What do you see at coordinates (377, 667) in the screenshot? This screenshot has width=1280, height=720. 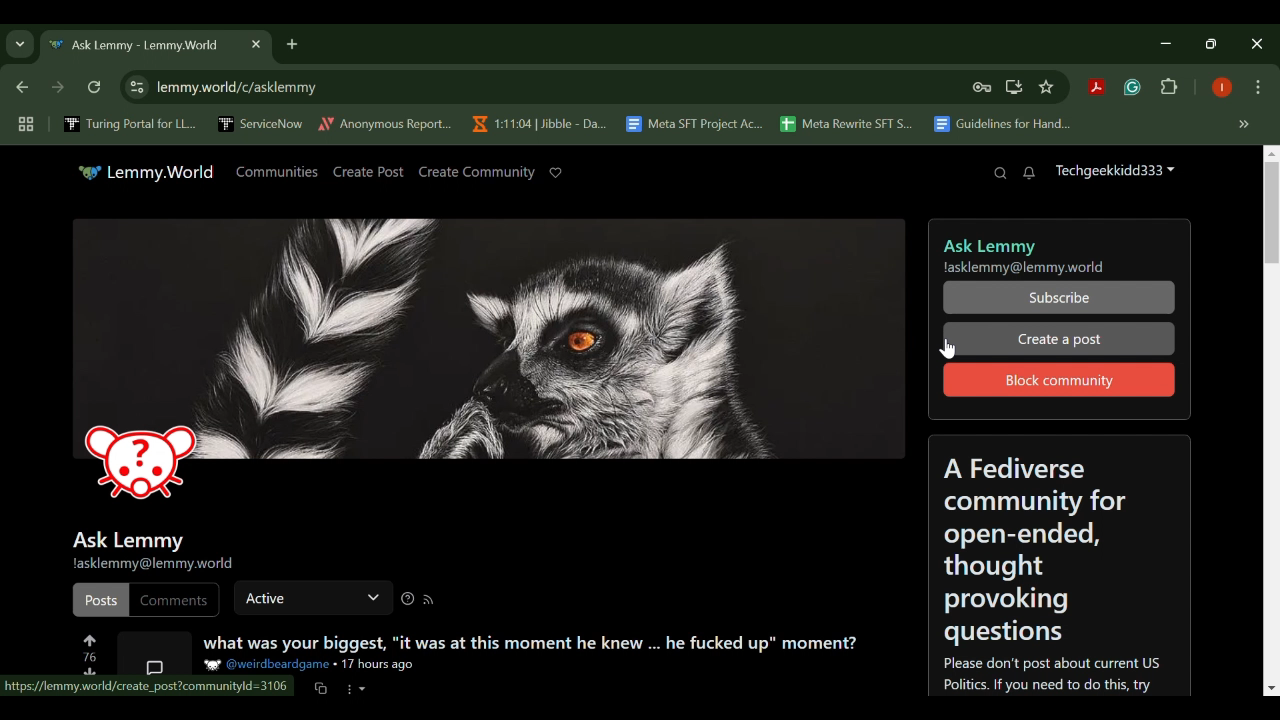 I see `17 hours ago` at bounding box center [377, 667].